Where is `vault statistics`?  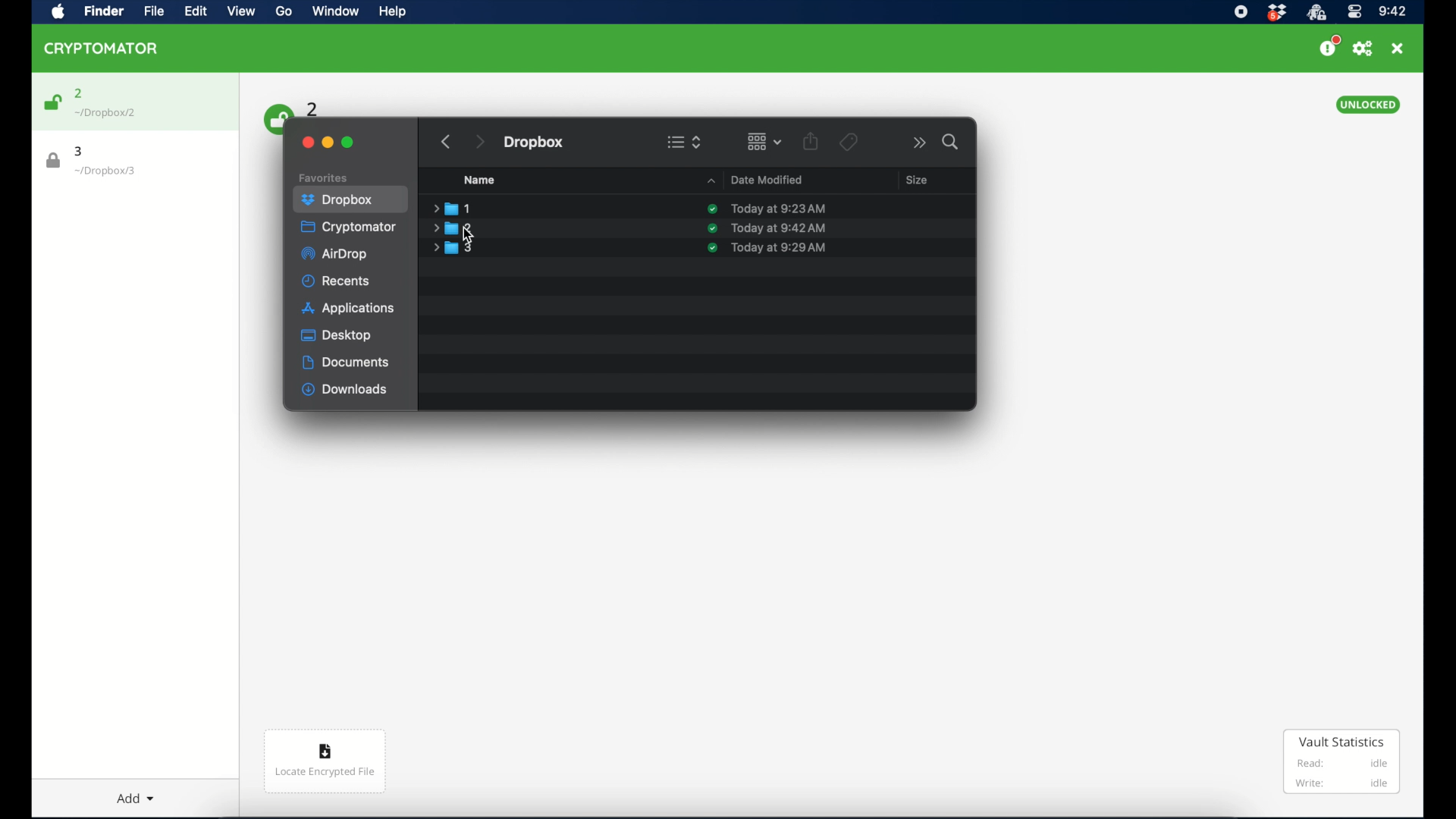
vault statistics is located at coordinates (1342, 763).